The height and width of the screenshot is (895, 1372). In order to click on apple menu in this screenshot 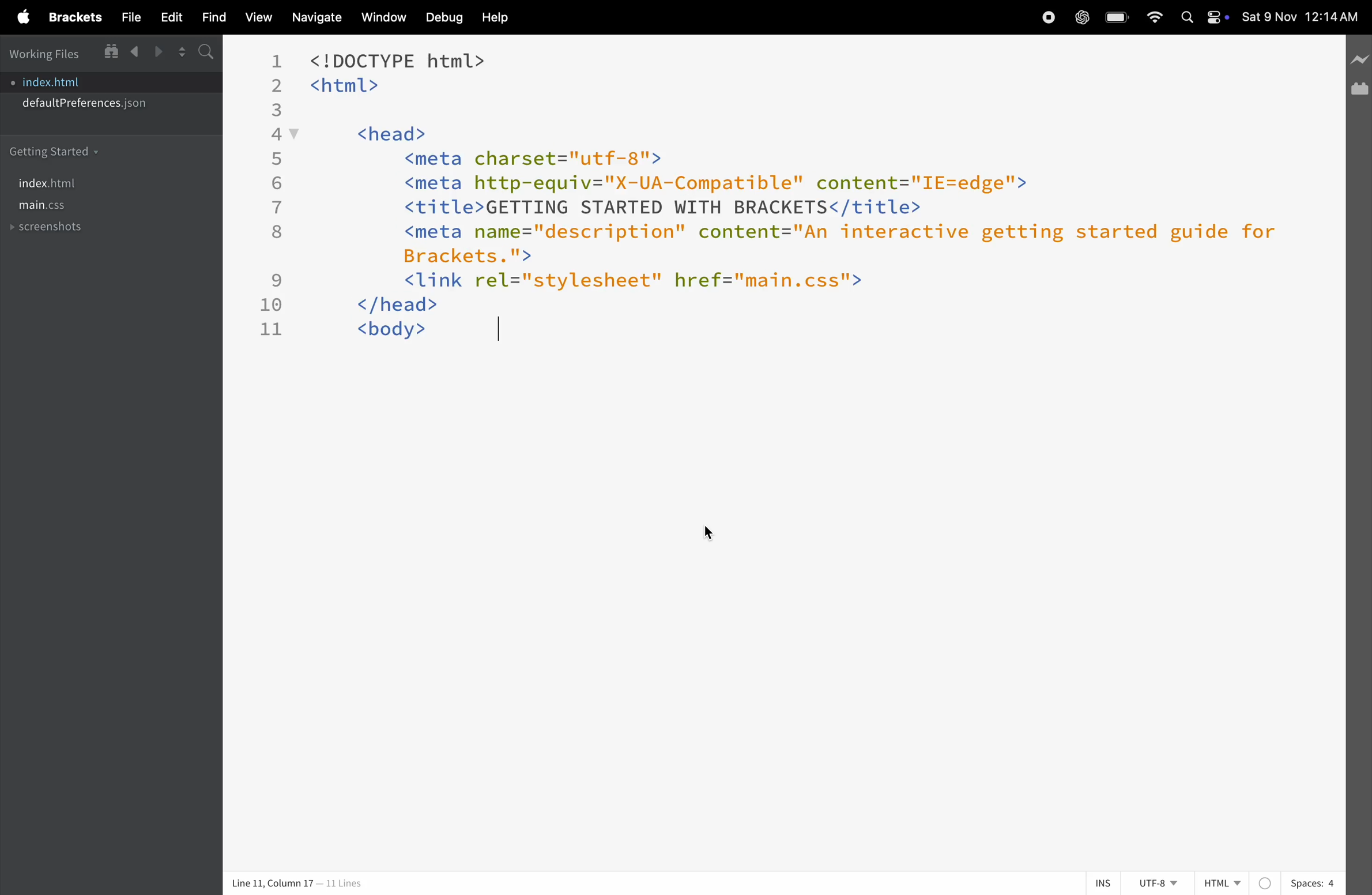, I will do `click(24, 18)`.